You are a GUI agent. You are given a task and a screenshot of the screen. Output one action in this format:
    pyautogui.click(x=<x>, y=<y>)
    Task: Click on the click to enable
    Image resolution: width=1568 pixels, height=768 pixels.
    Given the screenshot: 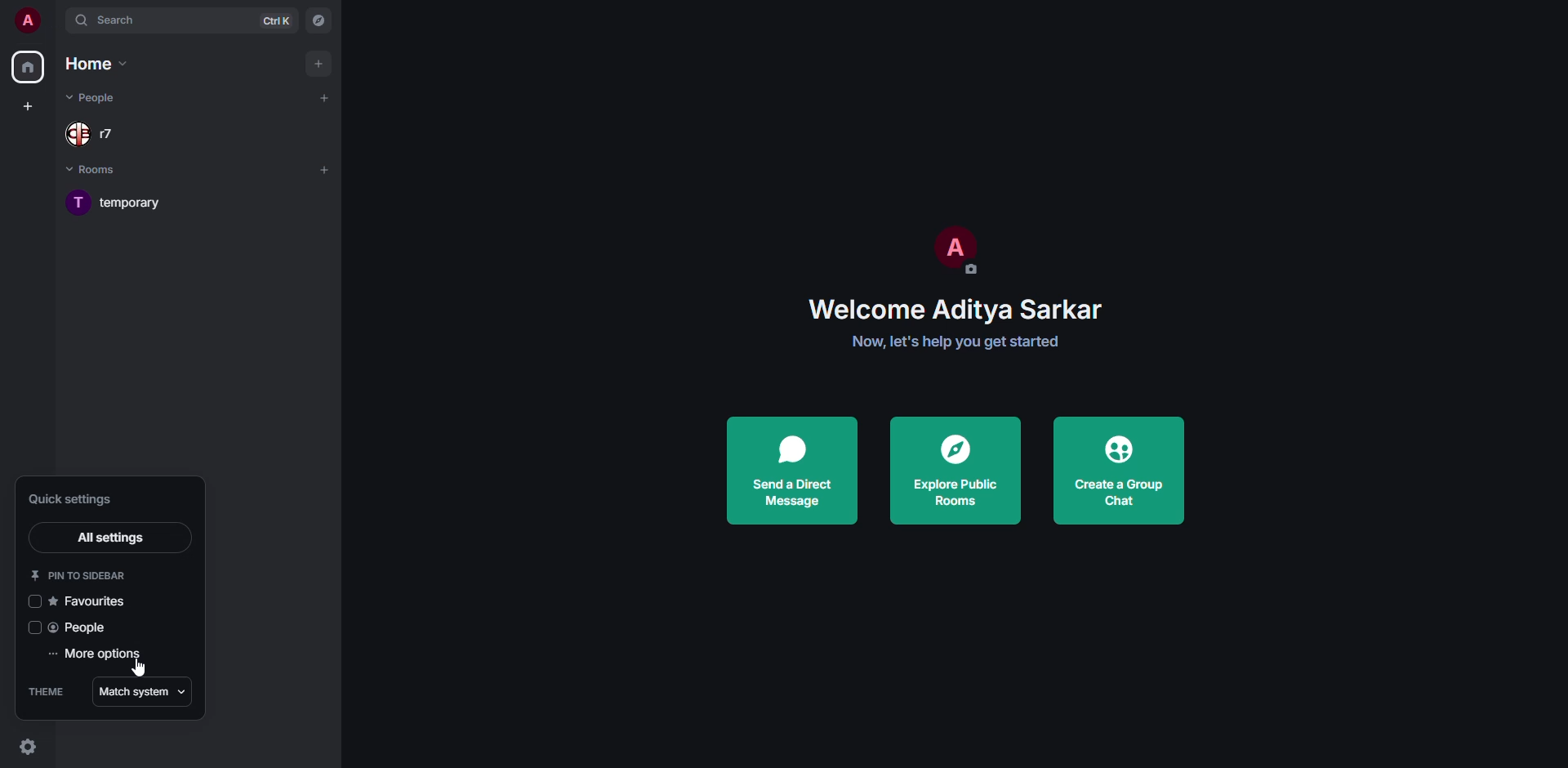 What is the action you would take?
    pyautogui.click(x=34, y=628)
    